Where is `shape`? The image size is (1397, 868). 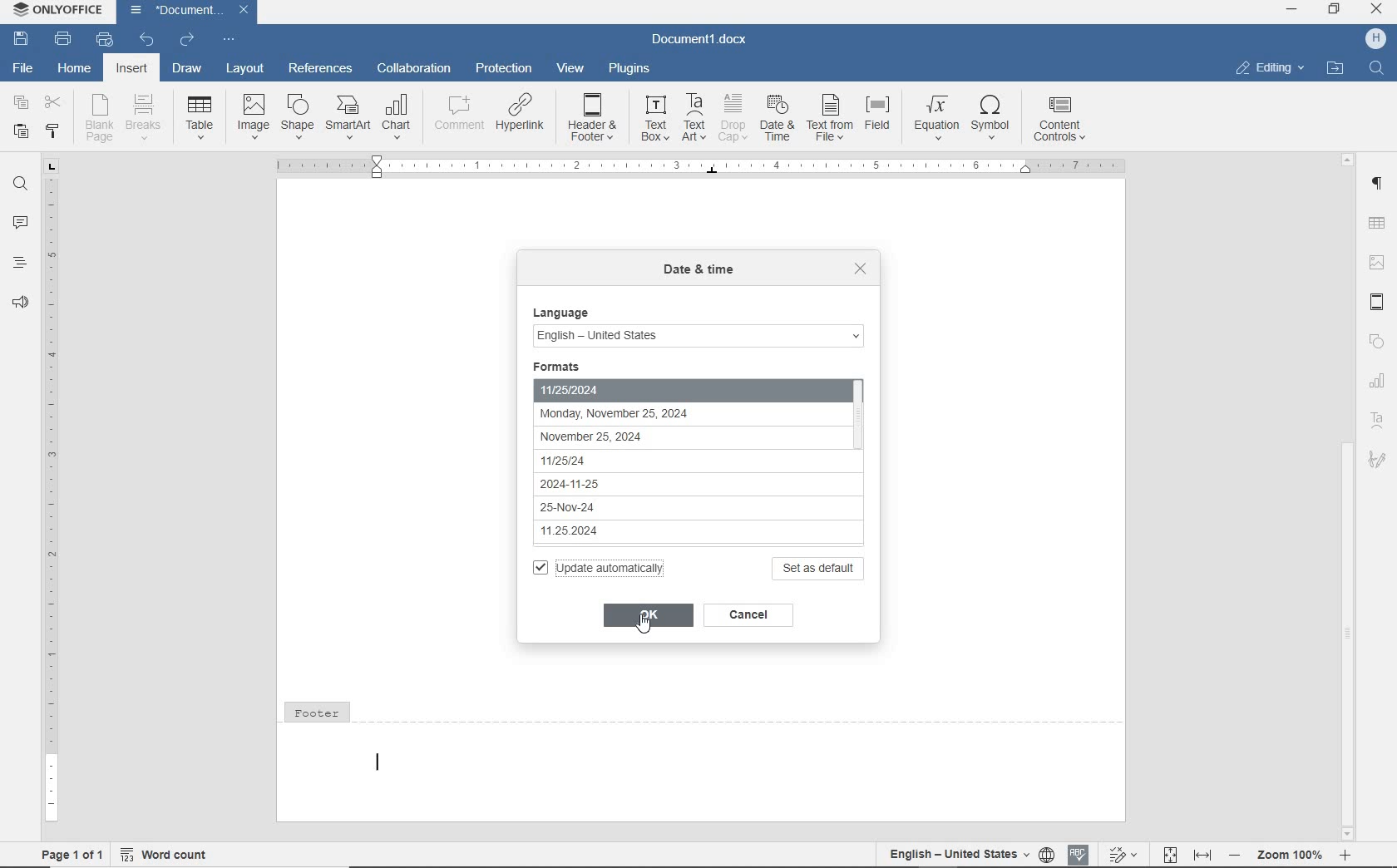
shape is located at coordinates (296, 116).